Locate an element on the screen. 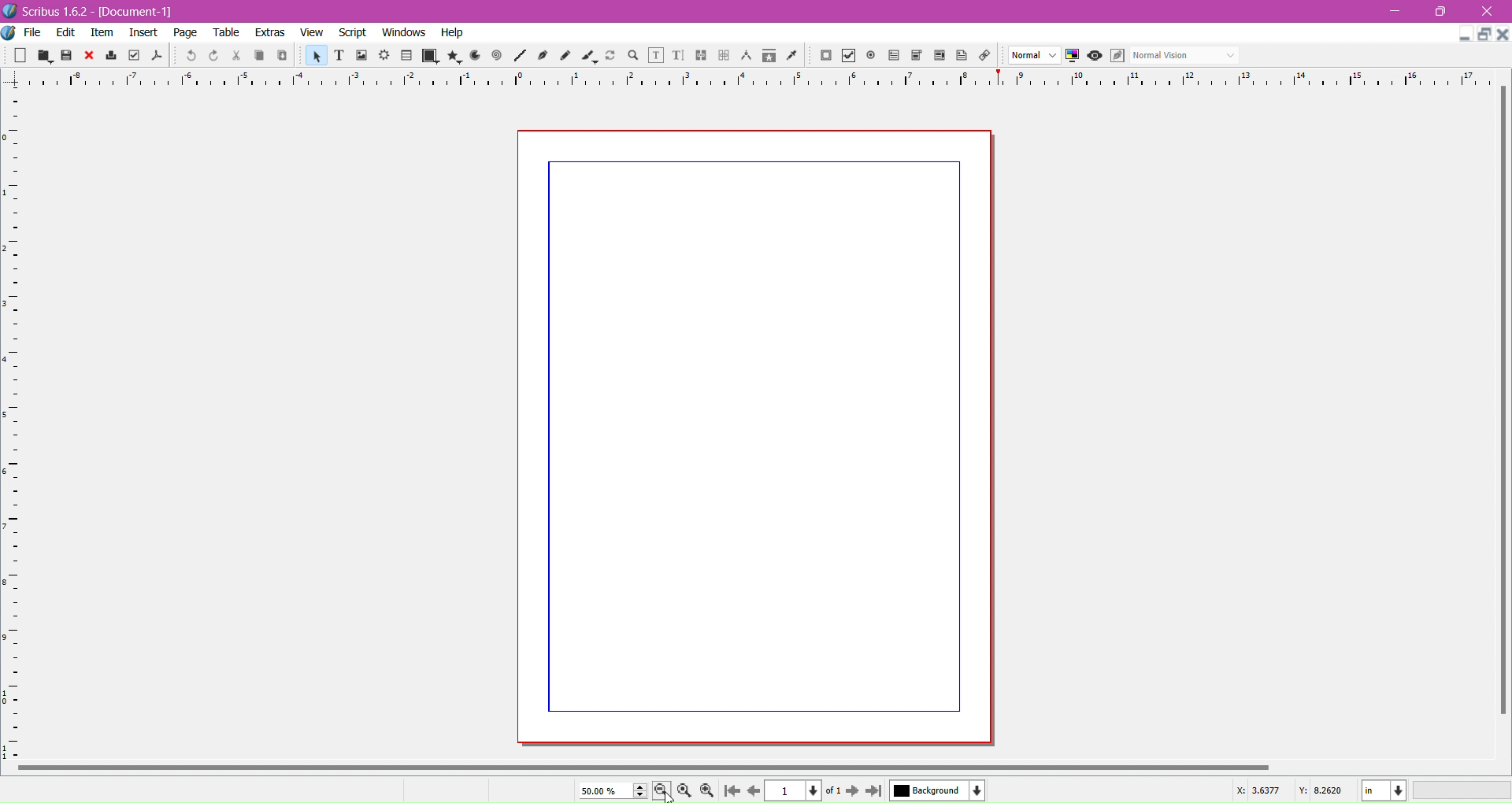  Edit Contents of Frame is located at coordinates (656, 55).